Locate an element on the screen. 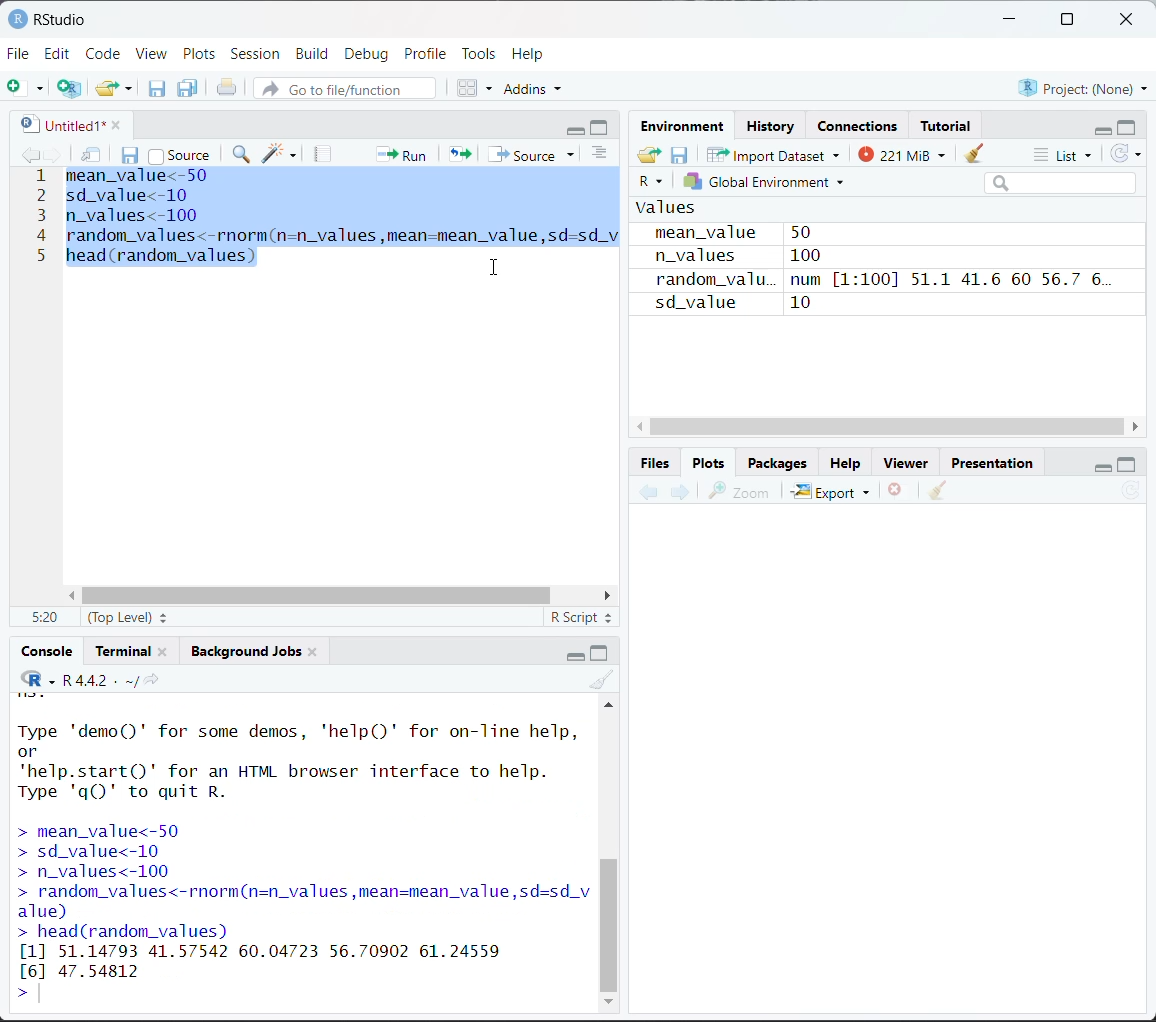  Plots is located at coordinates (709, 461).